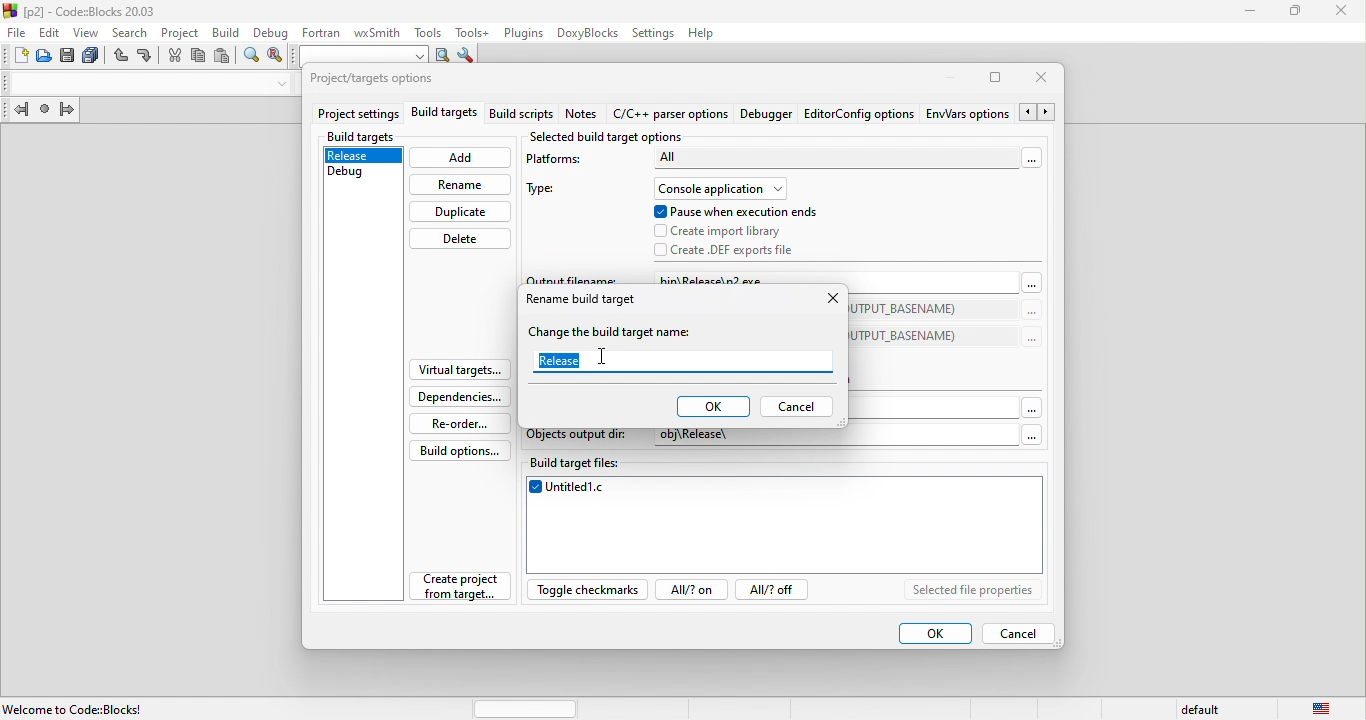  I want to click on default, so click(1204, 707).